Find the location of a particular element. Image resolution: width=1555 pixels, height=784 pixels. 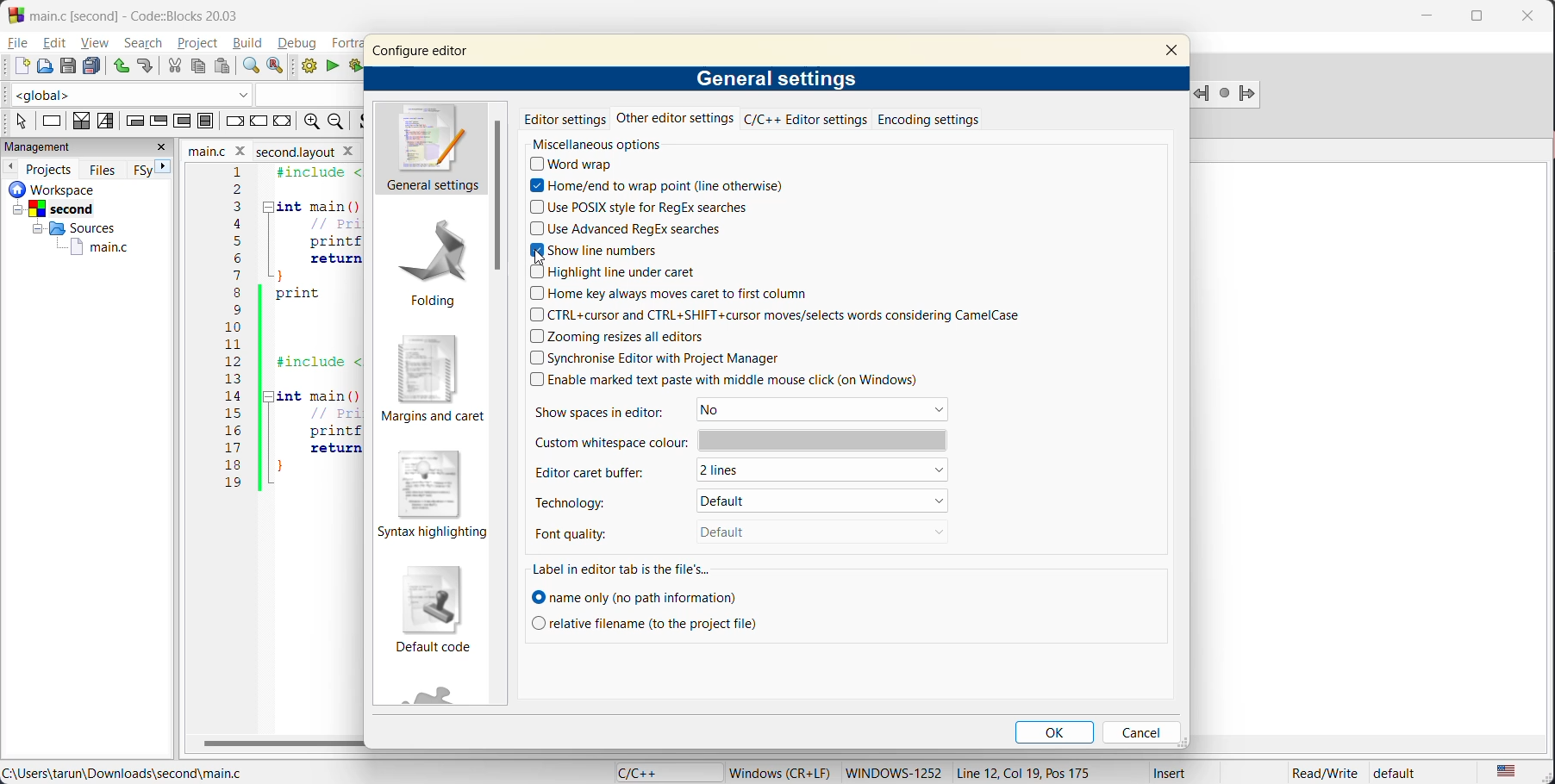

counting loop is located at coordinates (182, 122).